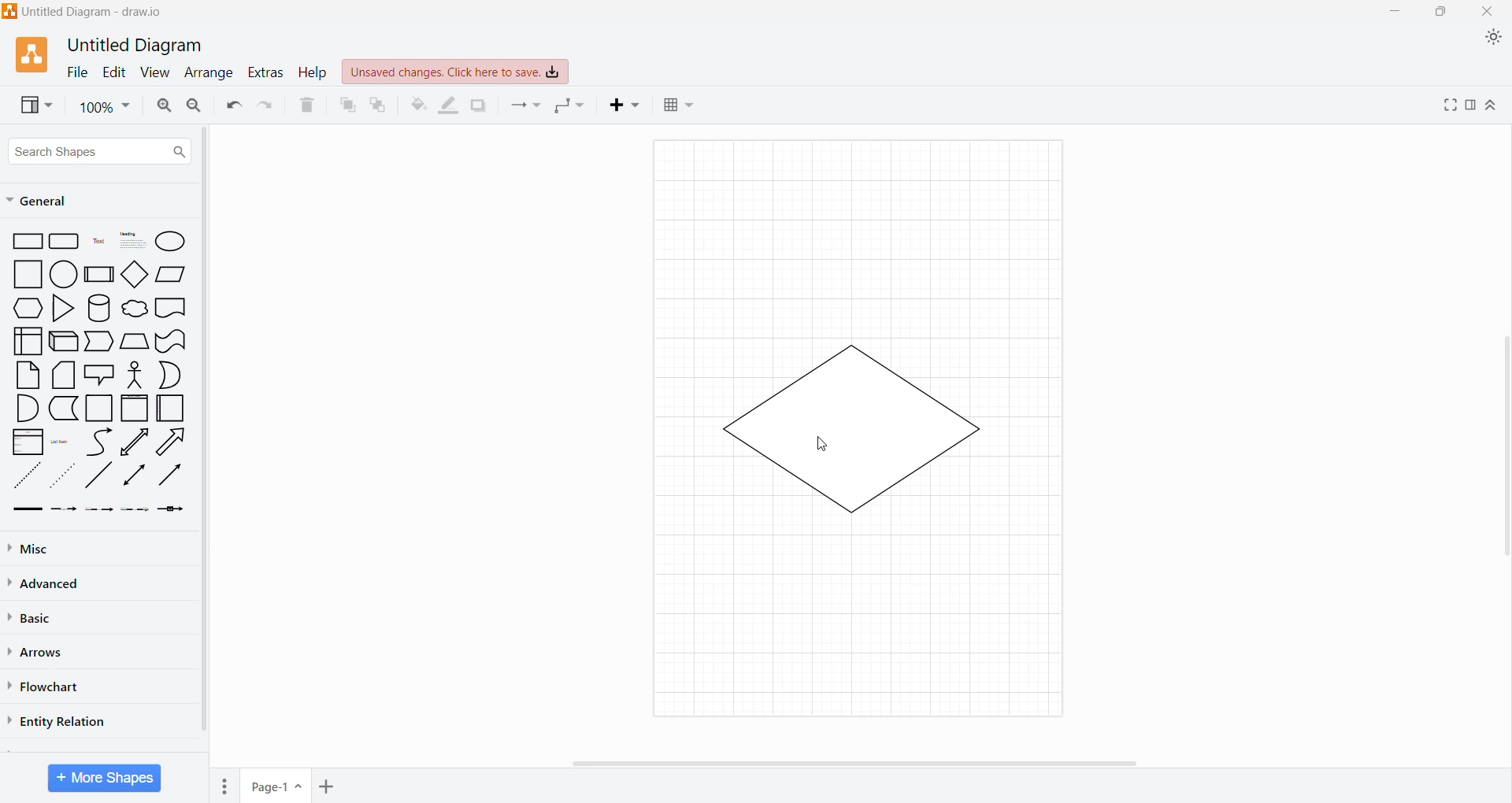 This screenshot has height=803, width=1512. What do you see at coordinates (276, 786) in the screenshot?
I see `` at bounding box center [276, 786].